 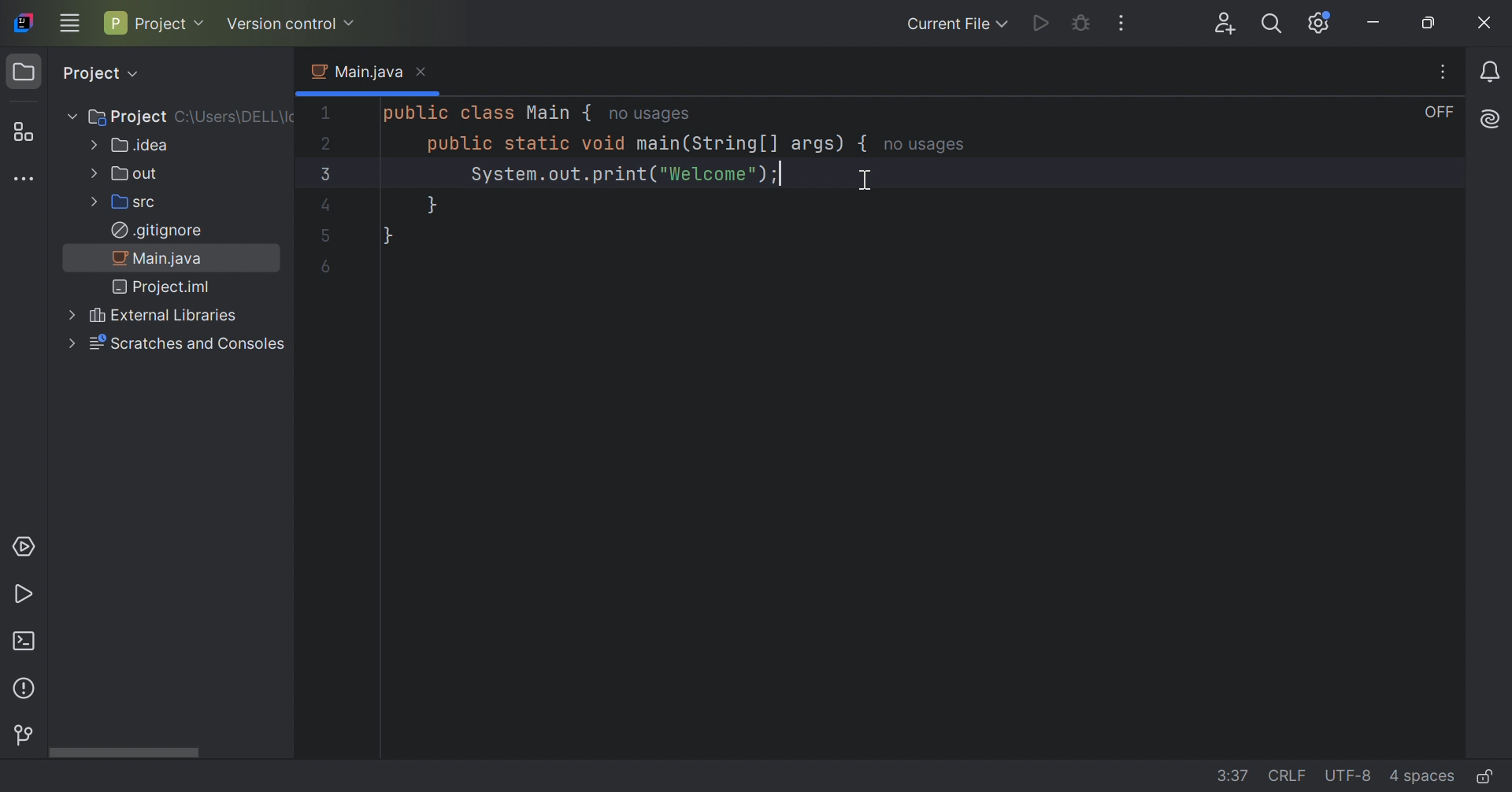 What do you see at coordinates (21, 24) in the screenshot?
I see `IntelliJ IDEA icon` at bounding box center [21, 24].